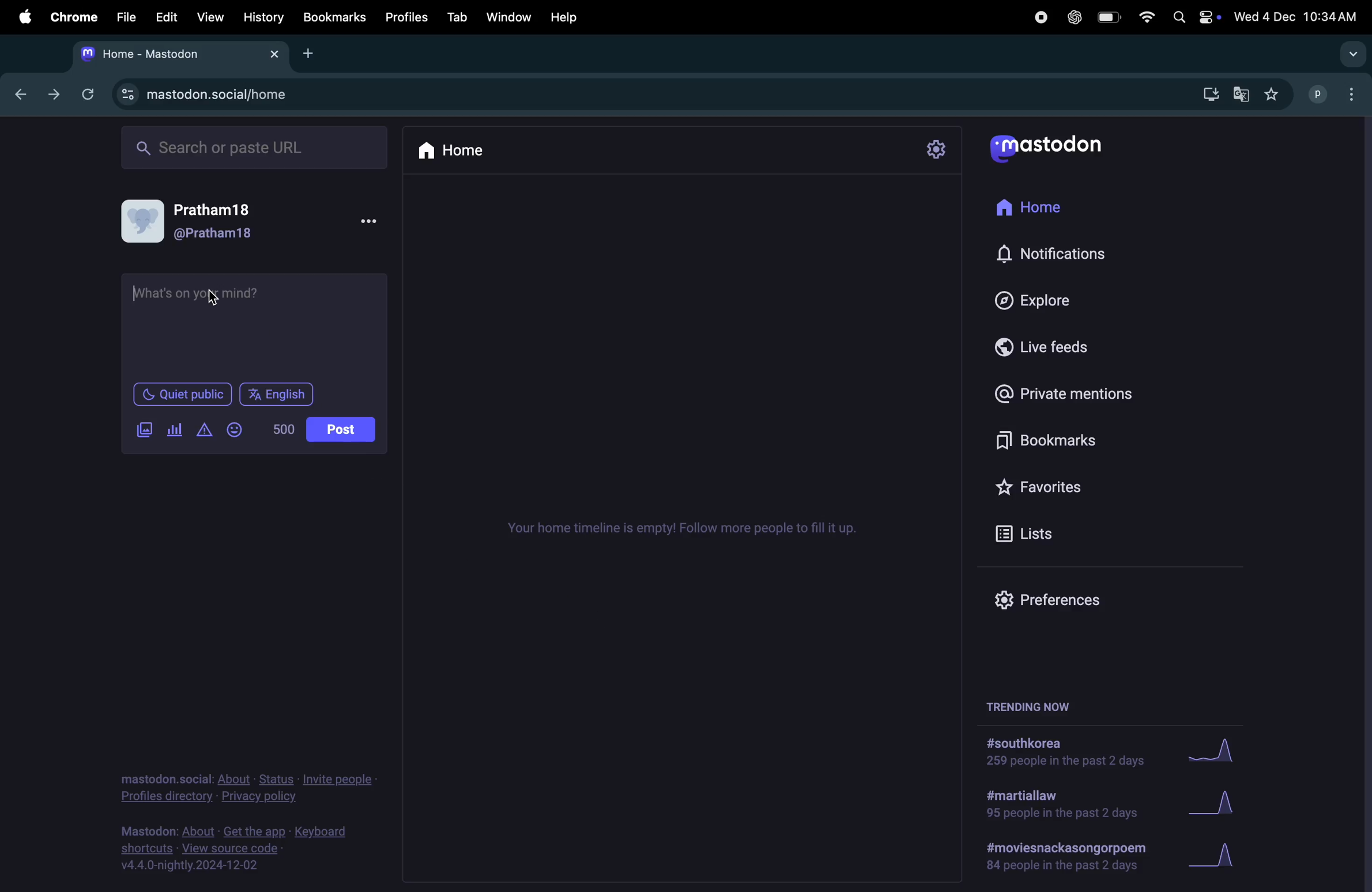 The image size is (1372, 892). Describe the element at coordinates (342, 430) in the screenshot. I see `post` at that location.